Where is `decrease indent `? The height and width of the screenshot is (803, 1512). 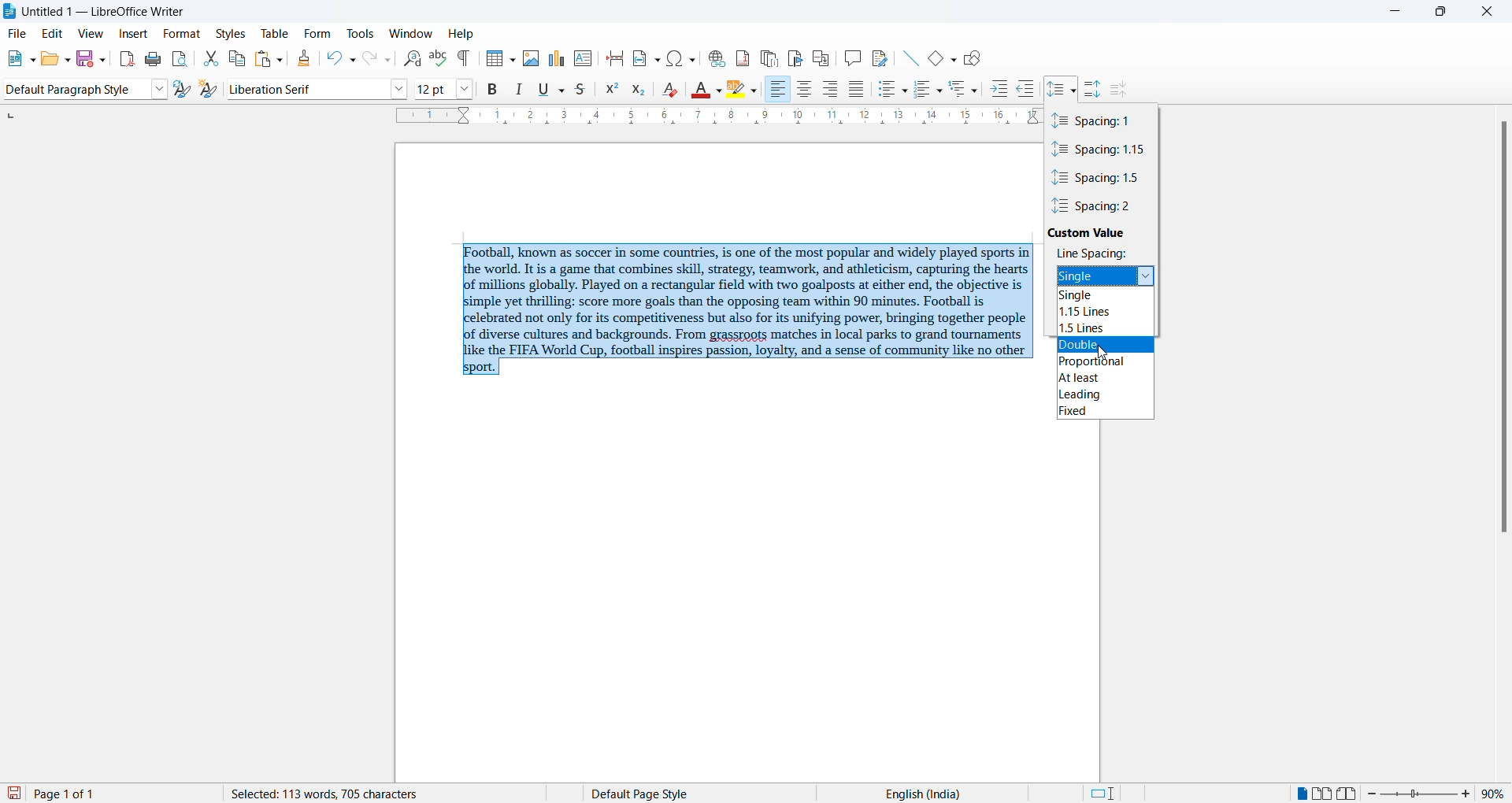
decrease indent  is located at coordinates (1027, 88).